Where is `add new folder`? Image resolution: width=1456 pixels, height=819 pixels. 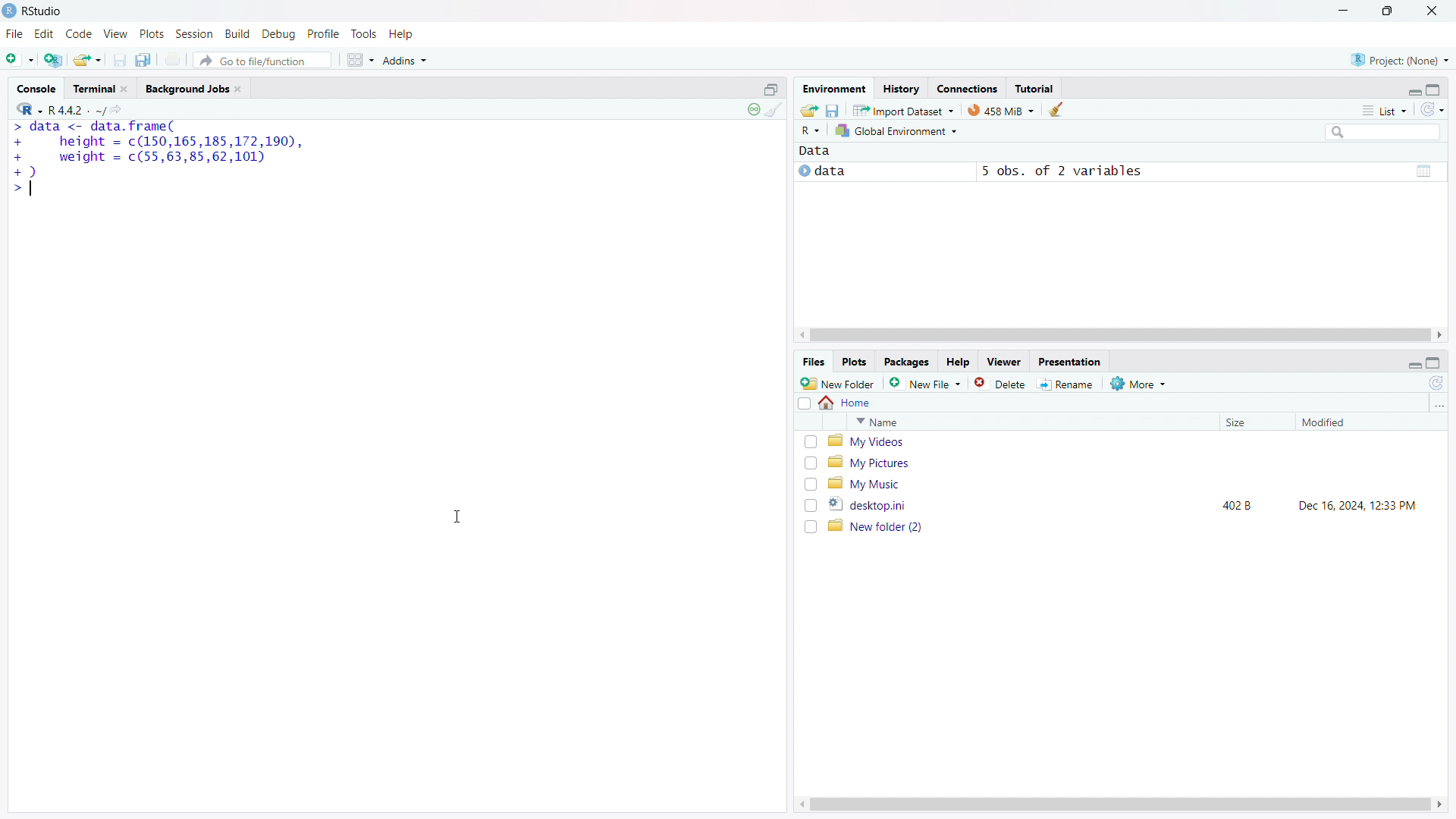
add new folder is located at coordinates (838, 383).